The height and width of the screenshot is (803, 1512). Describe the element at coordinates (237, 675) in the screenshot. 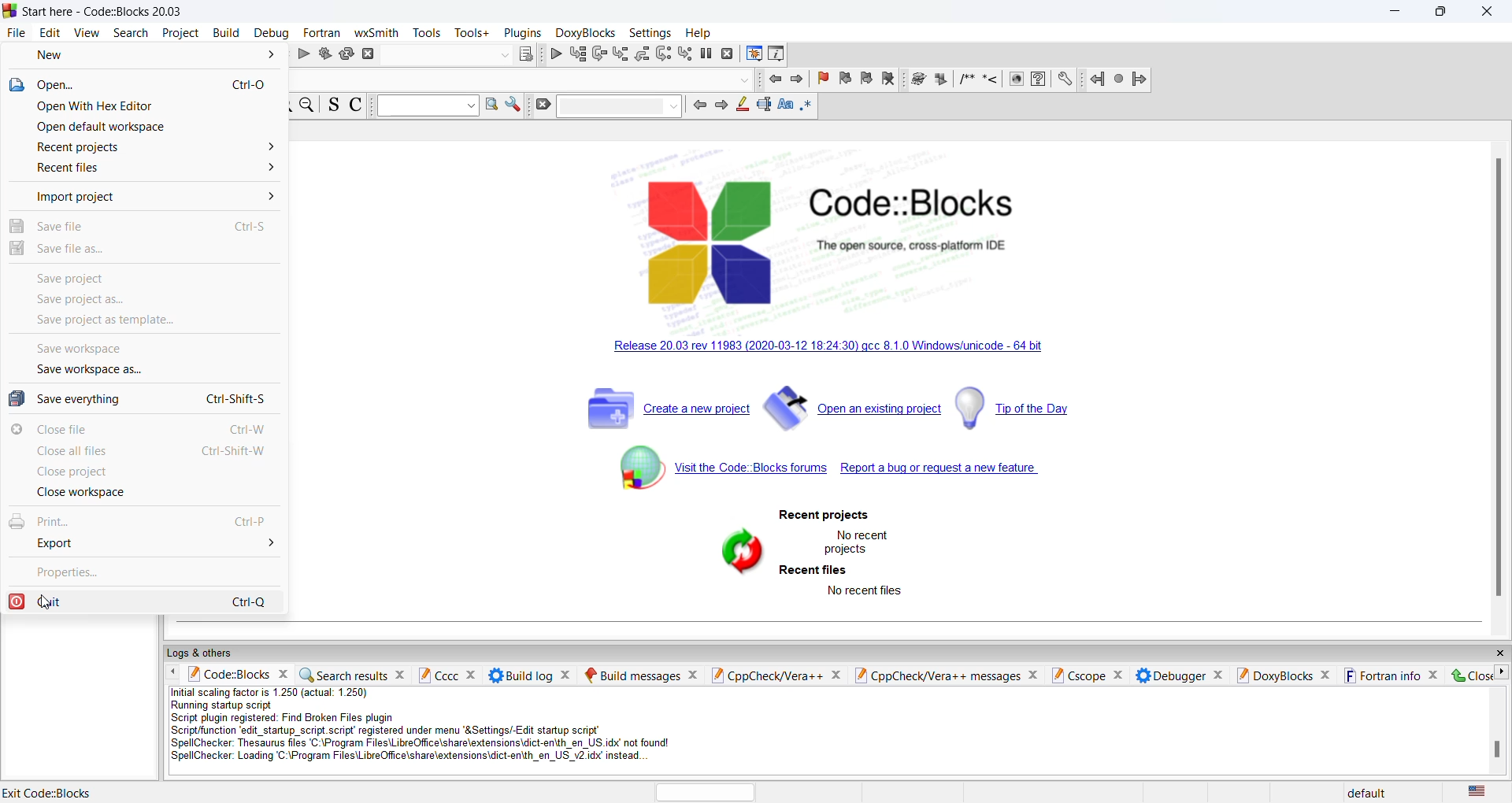

I see `codeblock pane` at that location.